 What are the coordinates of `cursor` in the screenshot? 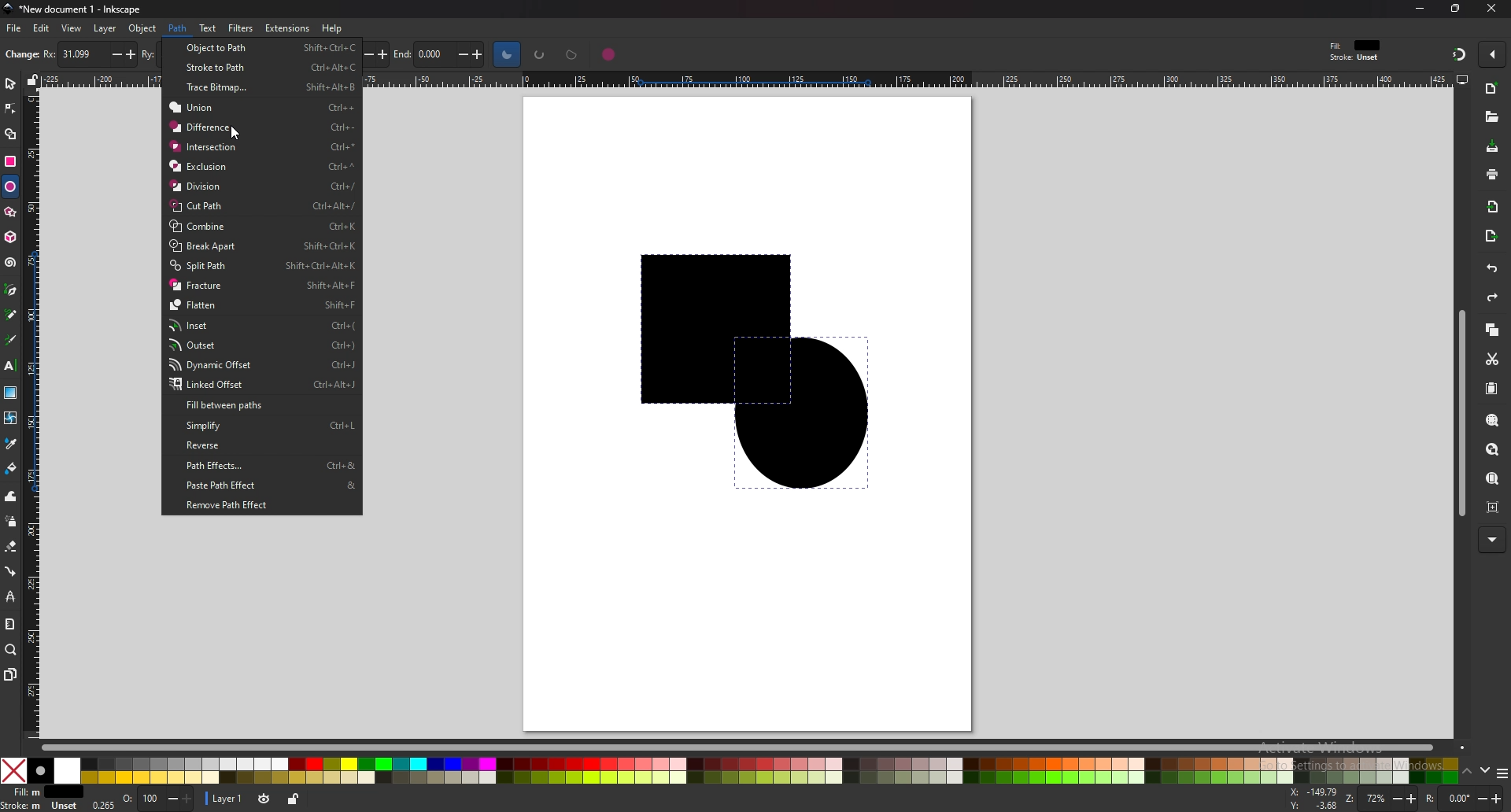 It's located at (233, 132).